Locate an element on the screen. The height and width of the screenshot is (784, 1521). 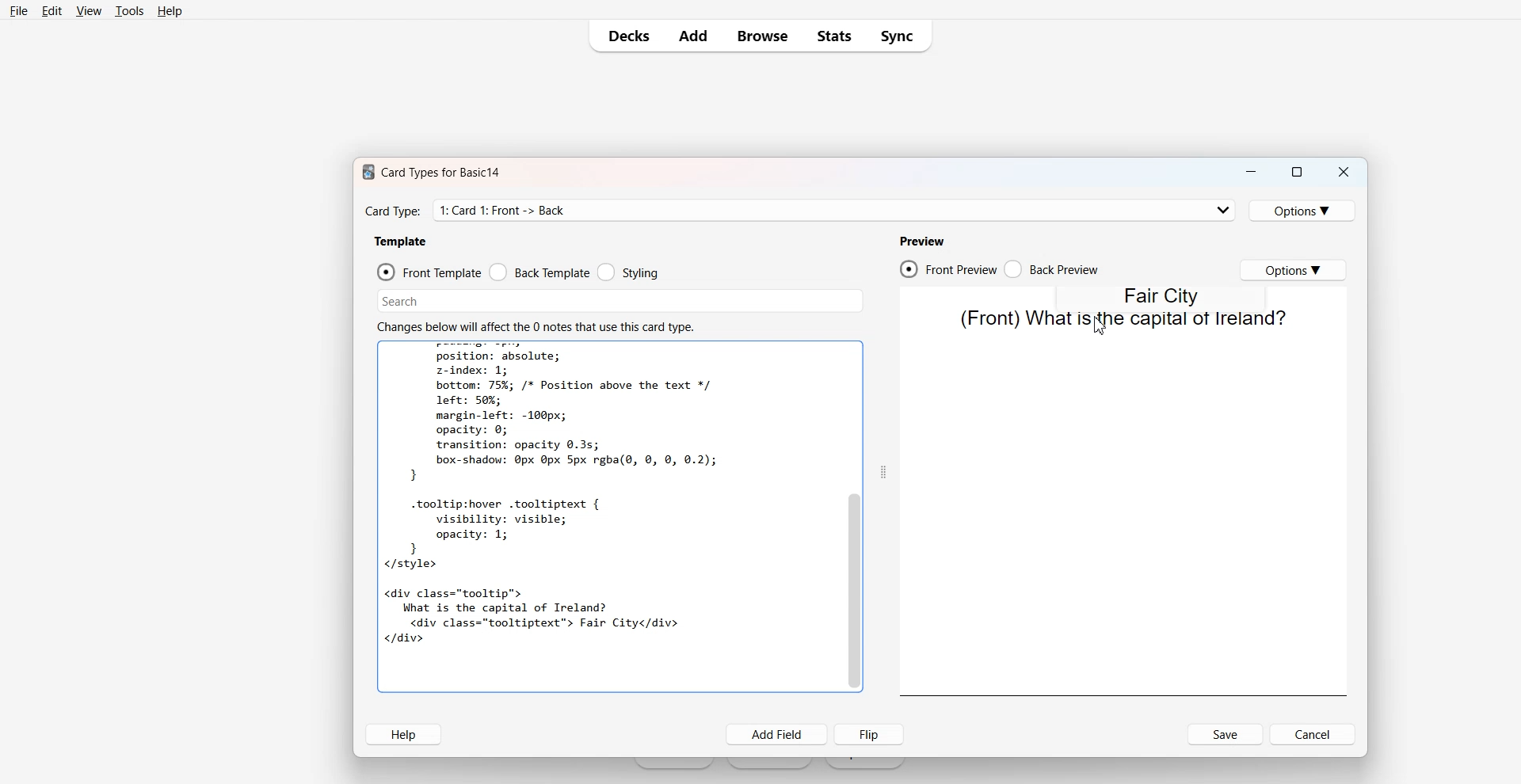
Text is located at coordinates (393, 211).